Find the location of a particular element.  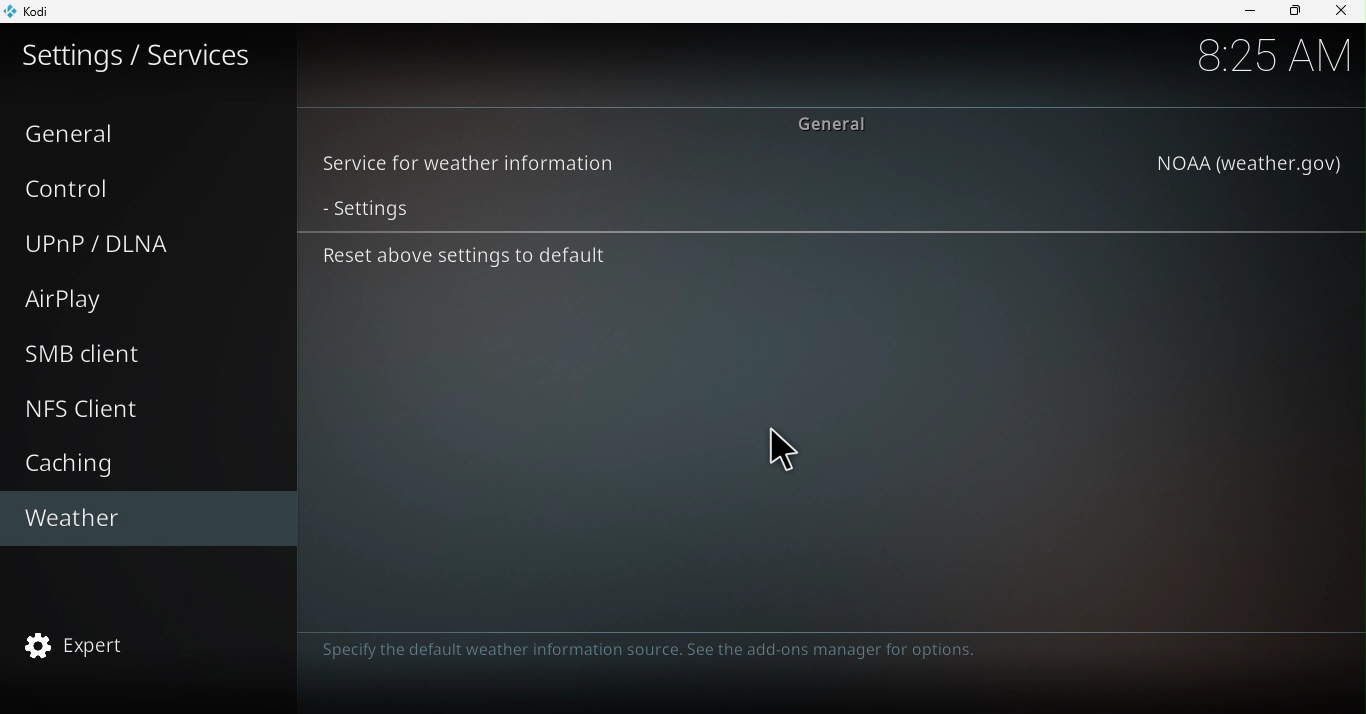

Reset above settings to default is located at coordinates (822, 259).